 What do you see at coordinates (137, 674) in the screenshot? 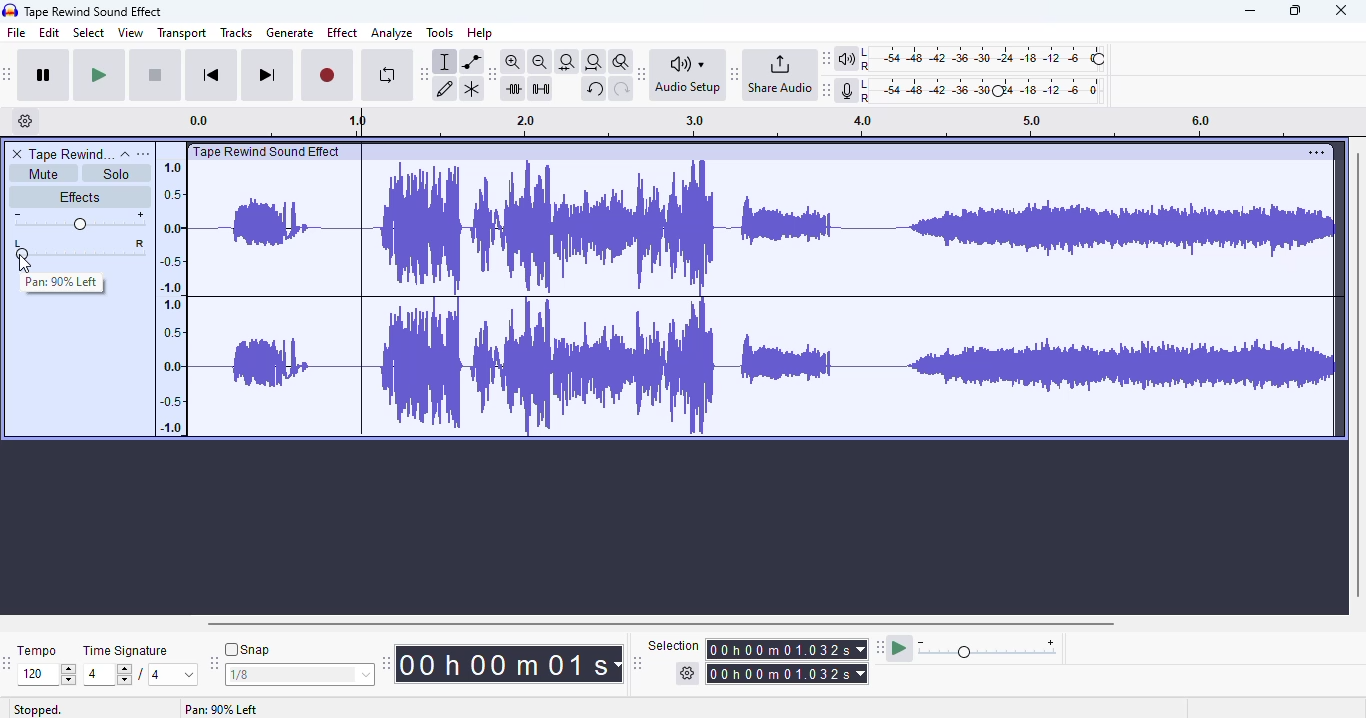
I see `4/4` at bounding box center [137, 674].